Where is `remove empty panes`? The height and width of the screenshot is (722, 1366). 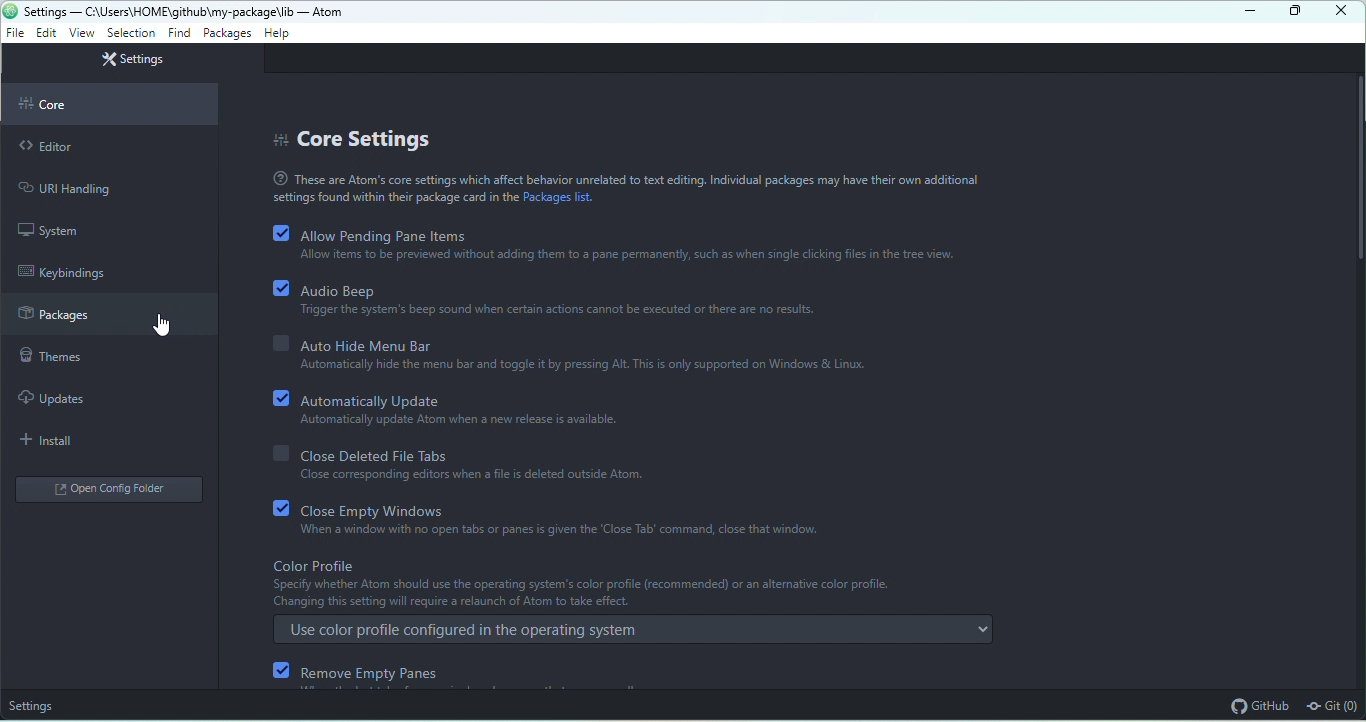 remove empty panes is located at coordinates (385, 674).